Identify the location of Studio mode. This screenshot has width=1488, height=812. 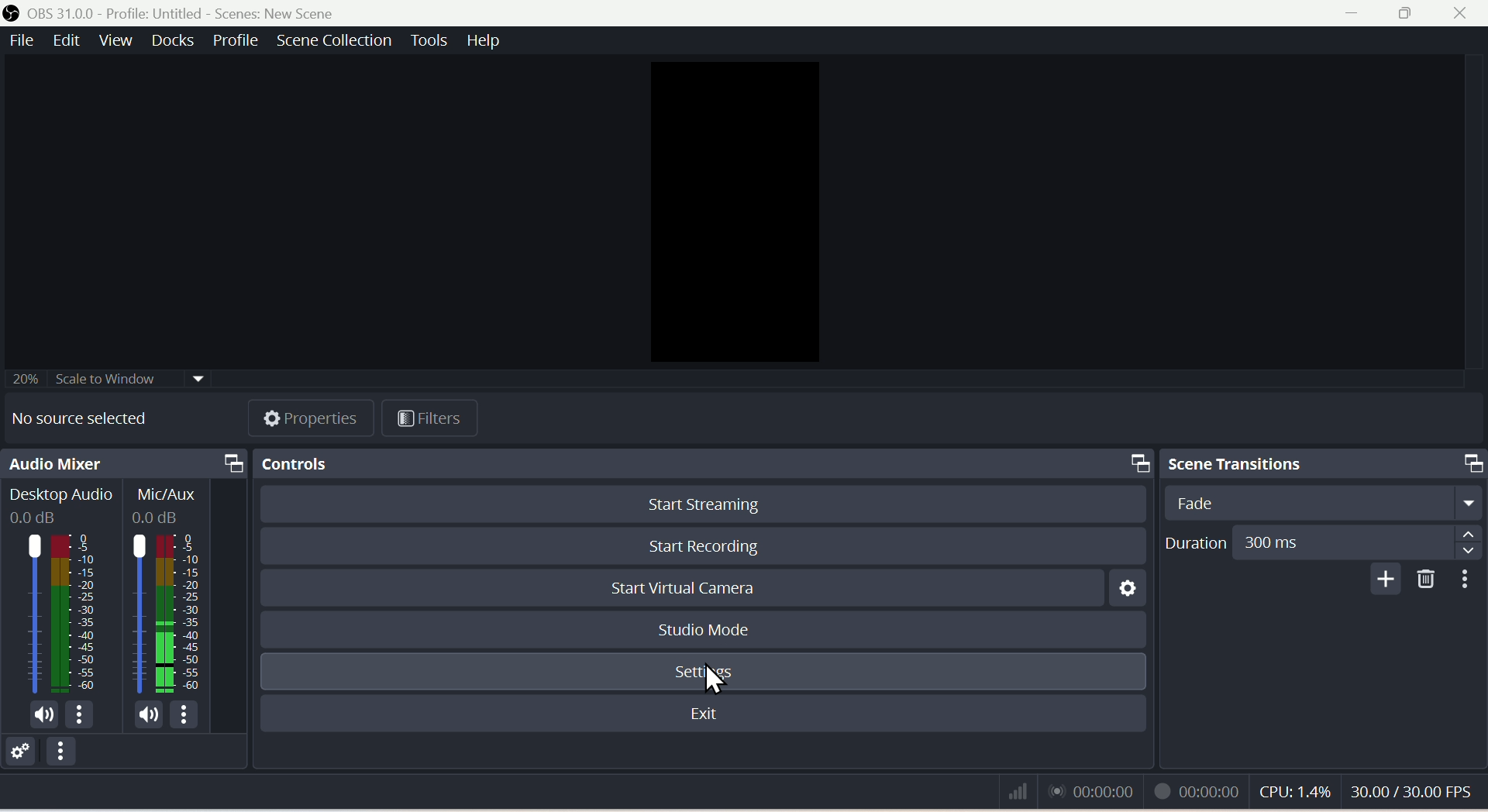
(703, 629).